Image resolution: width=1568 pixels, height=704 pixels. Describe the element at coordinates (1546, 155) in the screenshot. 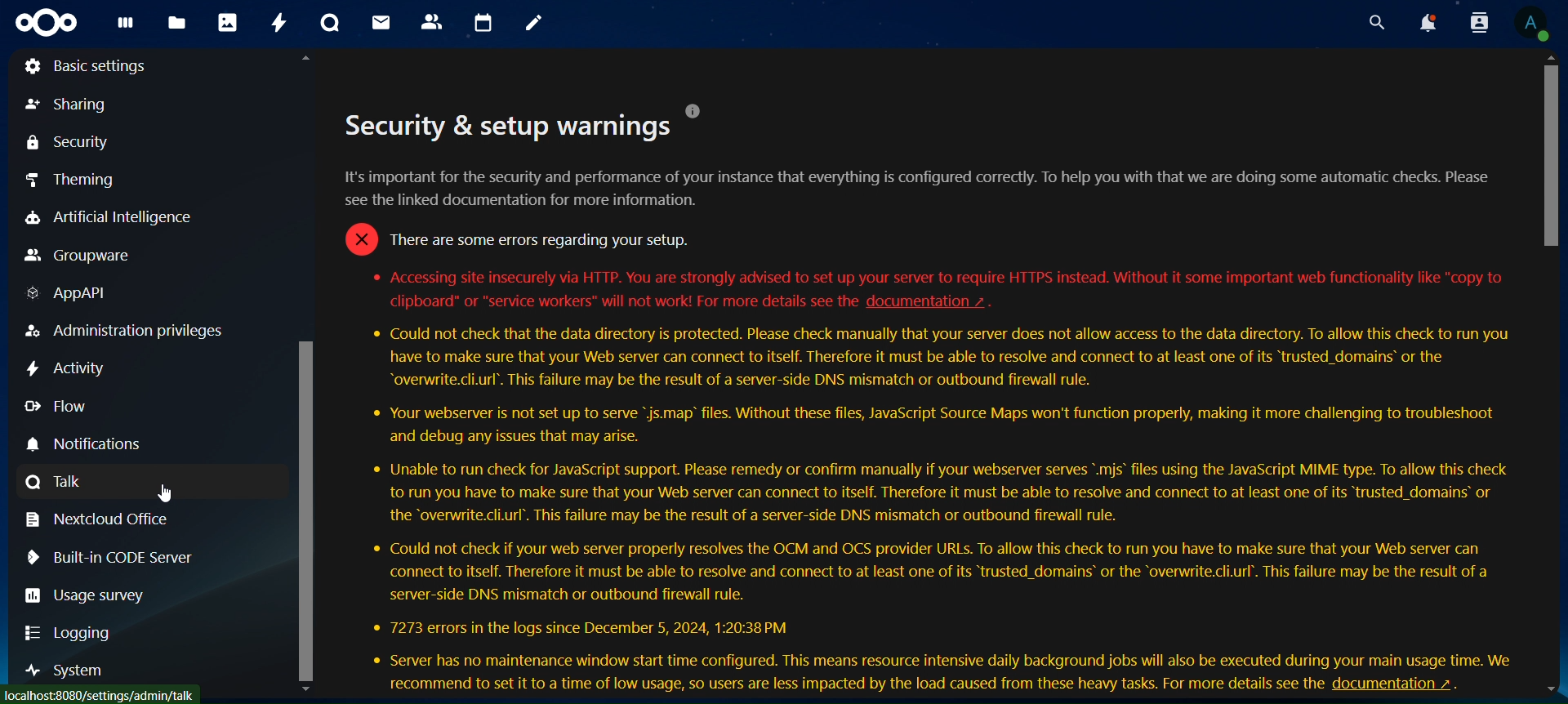

I see `scroll bar` at that location.